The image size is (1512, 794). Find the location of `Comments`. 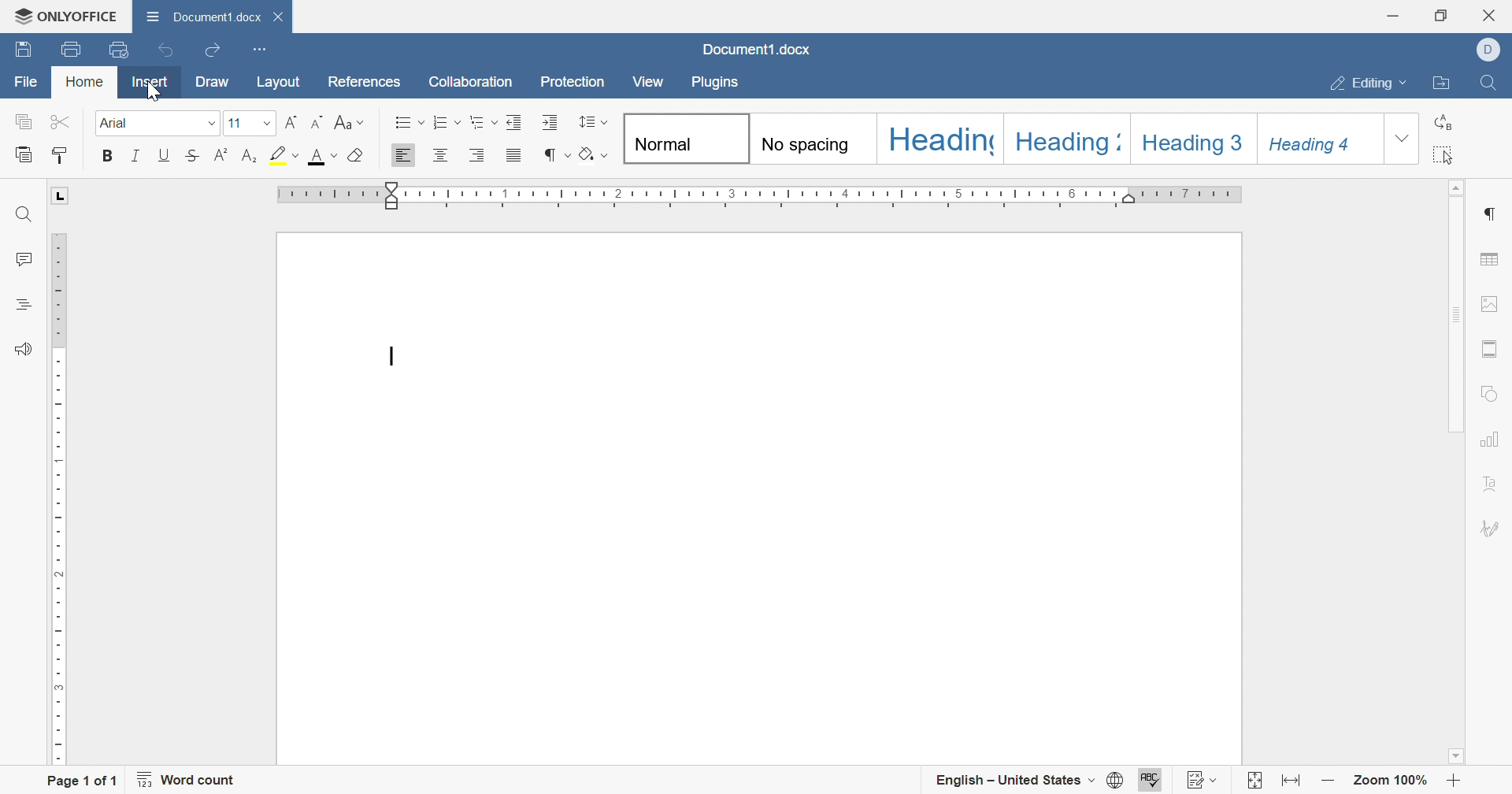

Comments is located at coordinates (22, 260).